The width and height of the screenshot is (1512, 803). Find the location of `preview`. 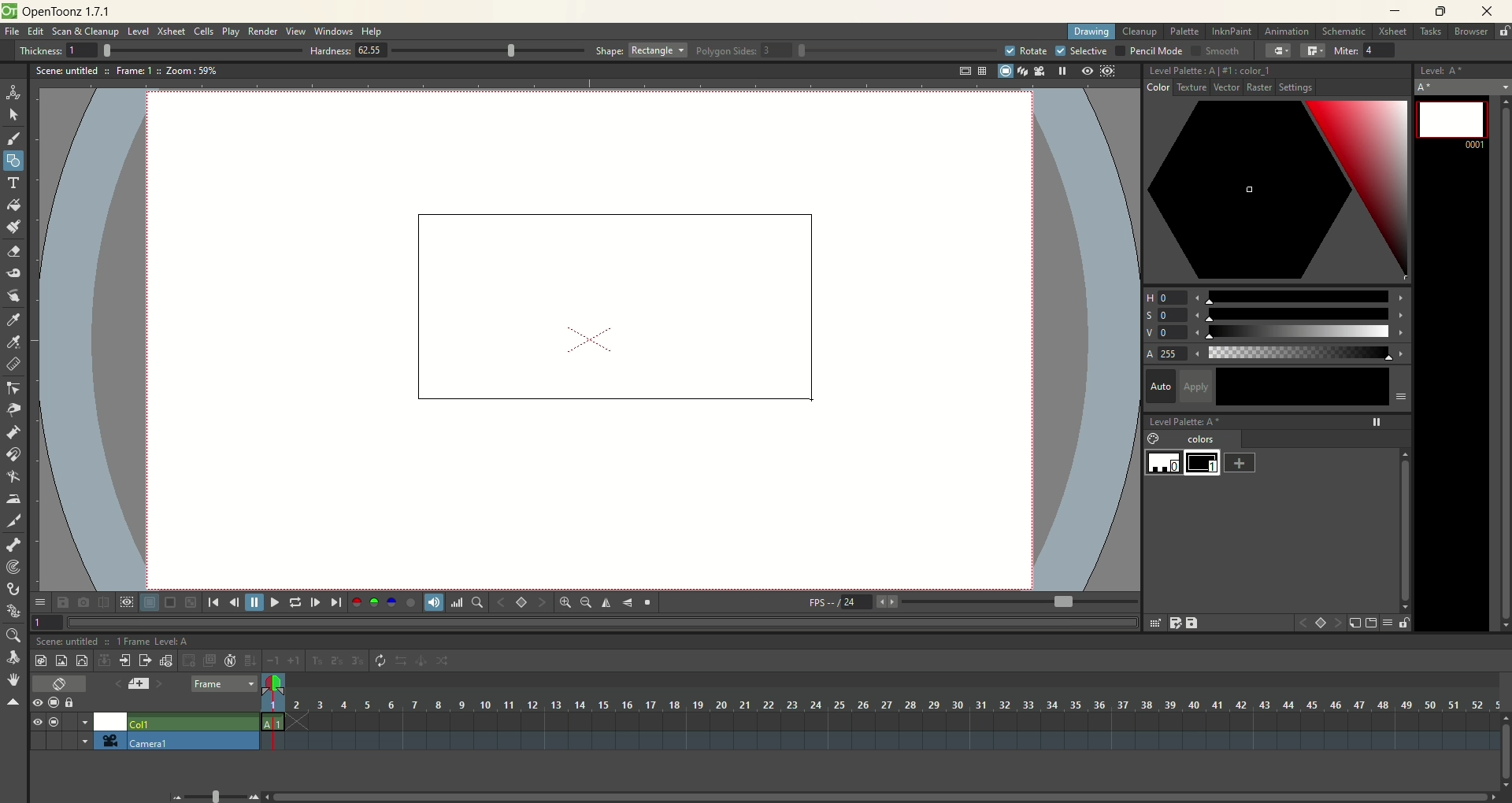

preview is located at coordinates (1084, 72).